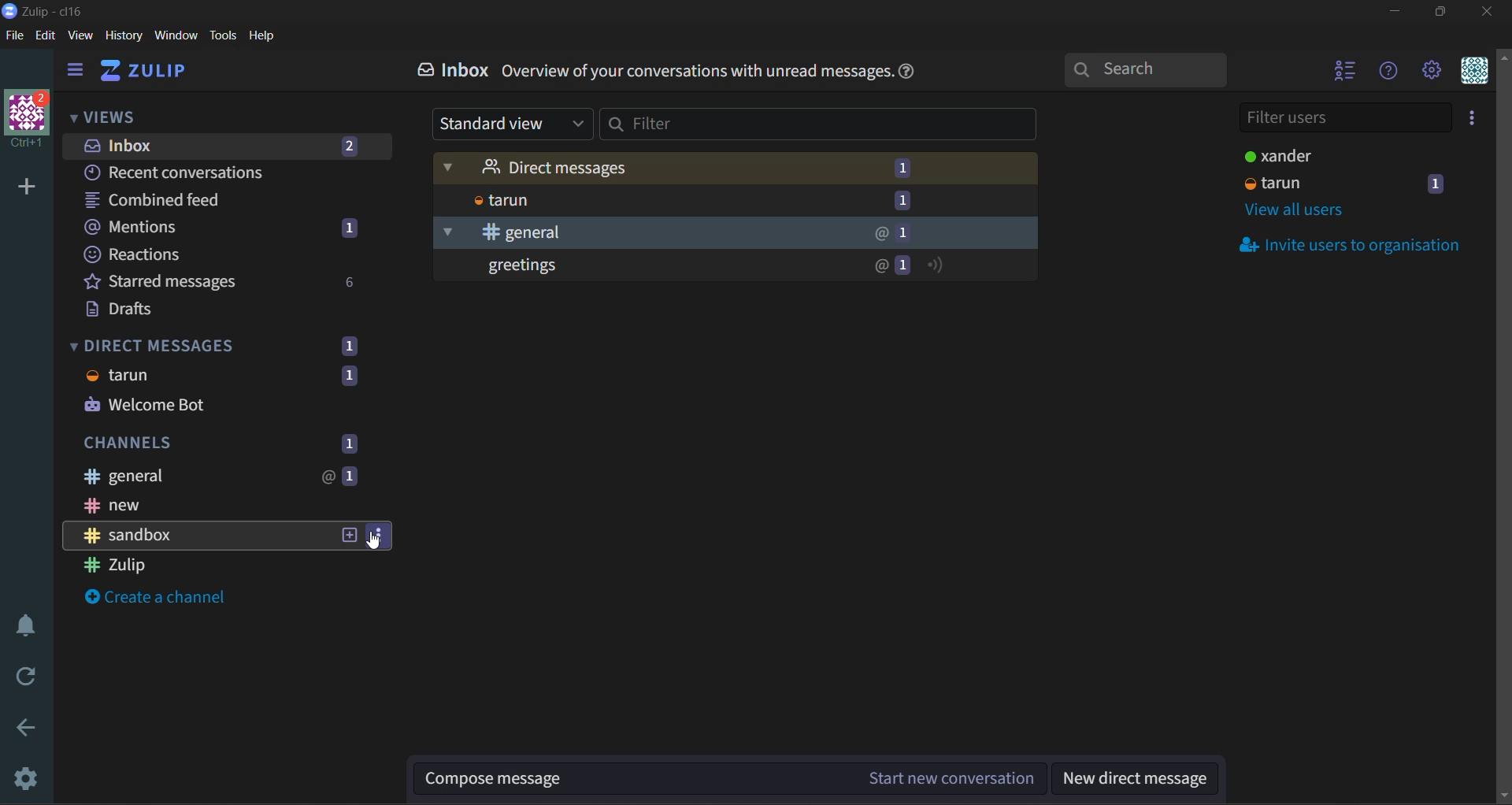 Image resolution: width=1512 pixels, height=805 pixels. Describe the element at coordinates (263, 36) in the screenshot. I see `help` at that location.